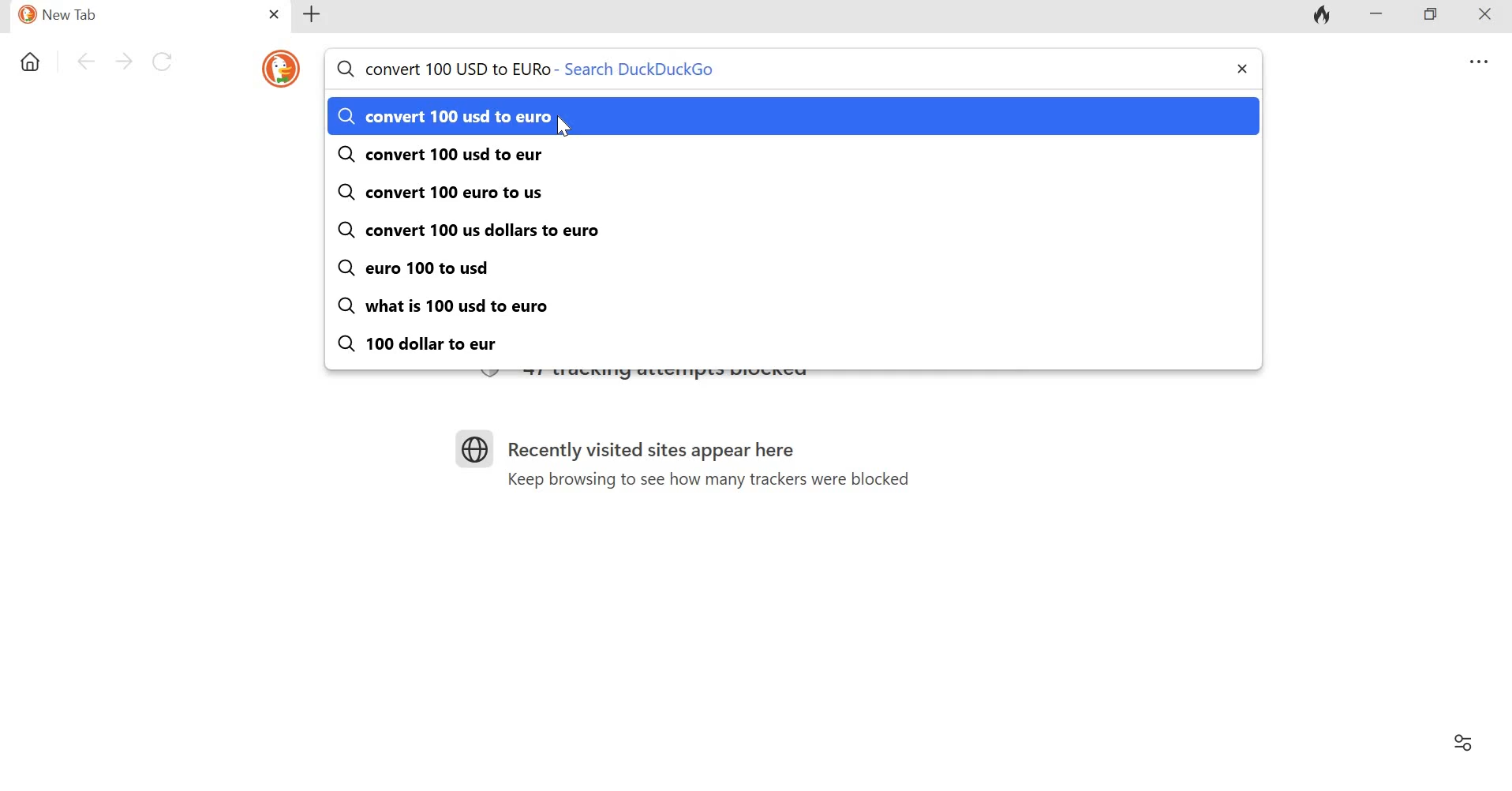 This screenshot has height=791, width=1512. I want to click on Go back one page, so click(86, 60).